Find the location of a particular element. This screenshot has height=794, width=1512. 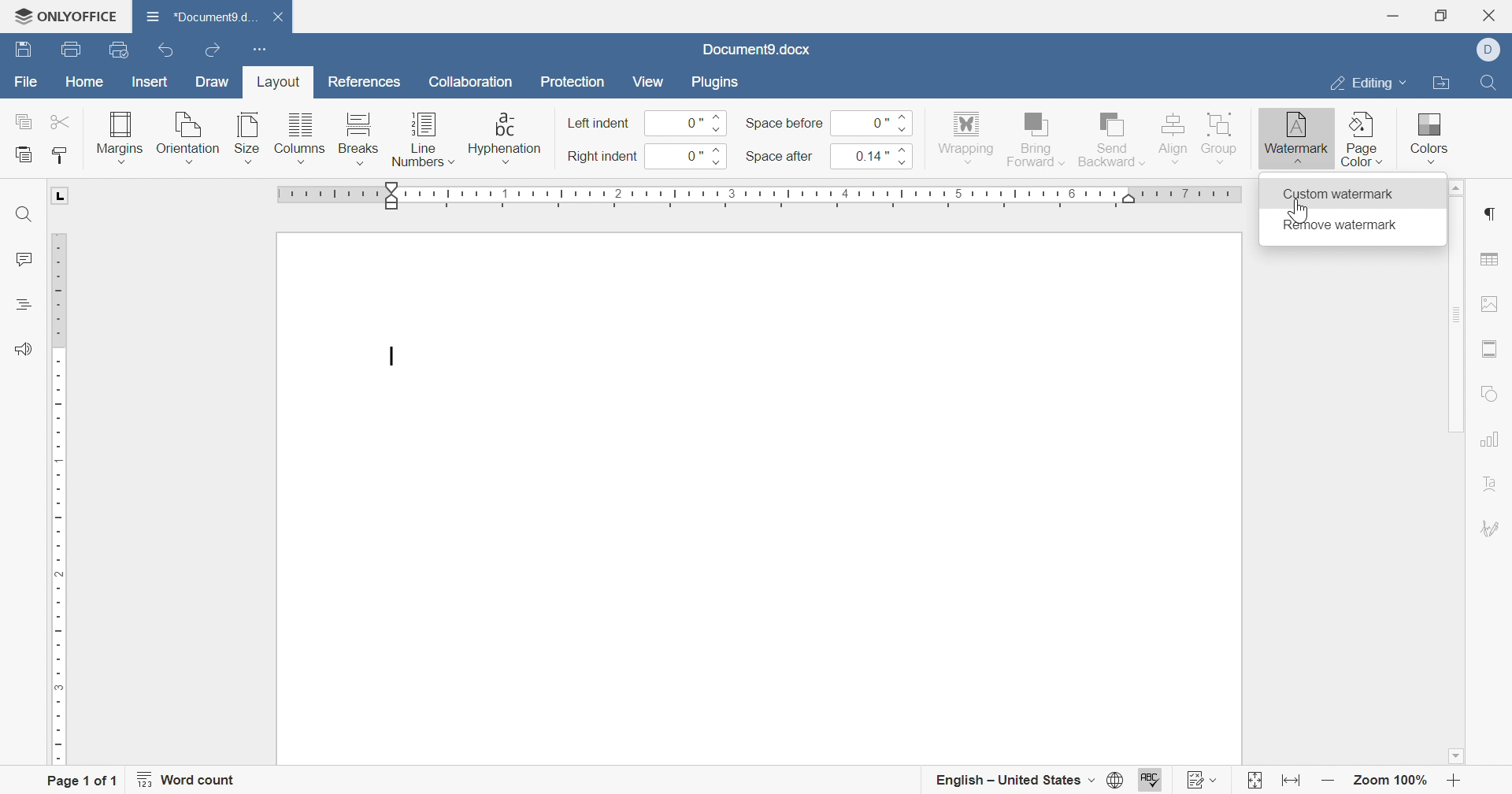

ruler is located at coordinates (762, 198).